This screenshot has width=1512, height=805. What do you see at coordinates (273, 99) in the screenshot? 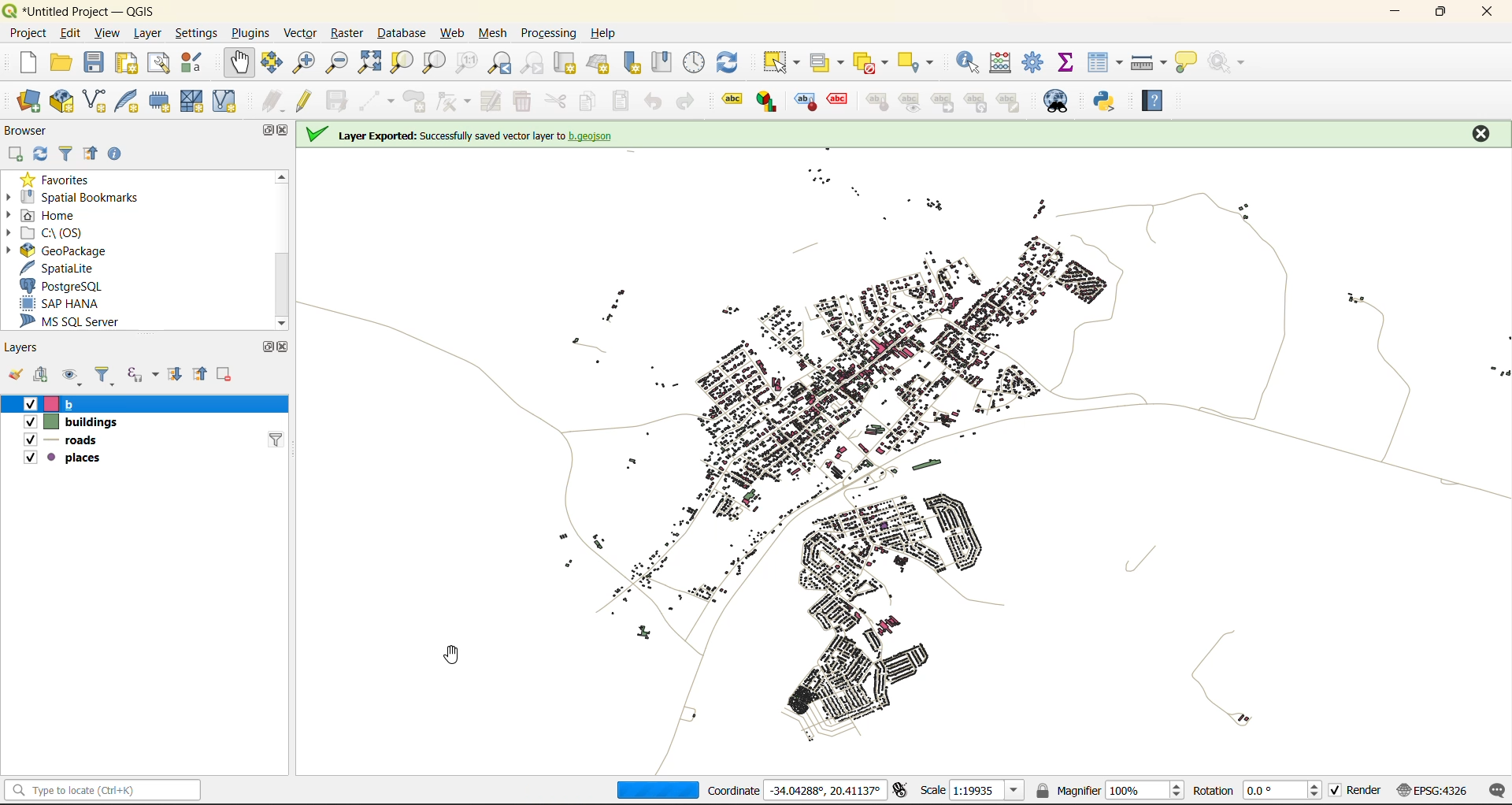
I see `edits` at bounding box center [273, 99].